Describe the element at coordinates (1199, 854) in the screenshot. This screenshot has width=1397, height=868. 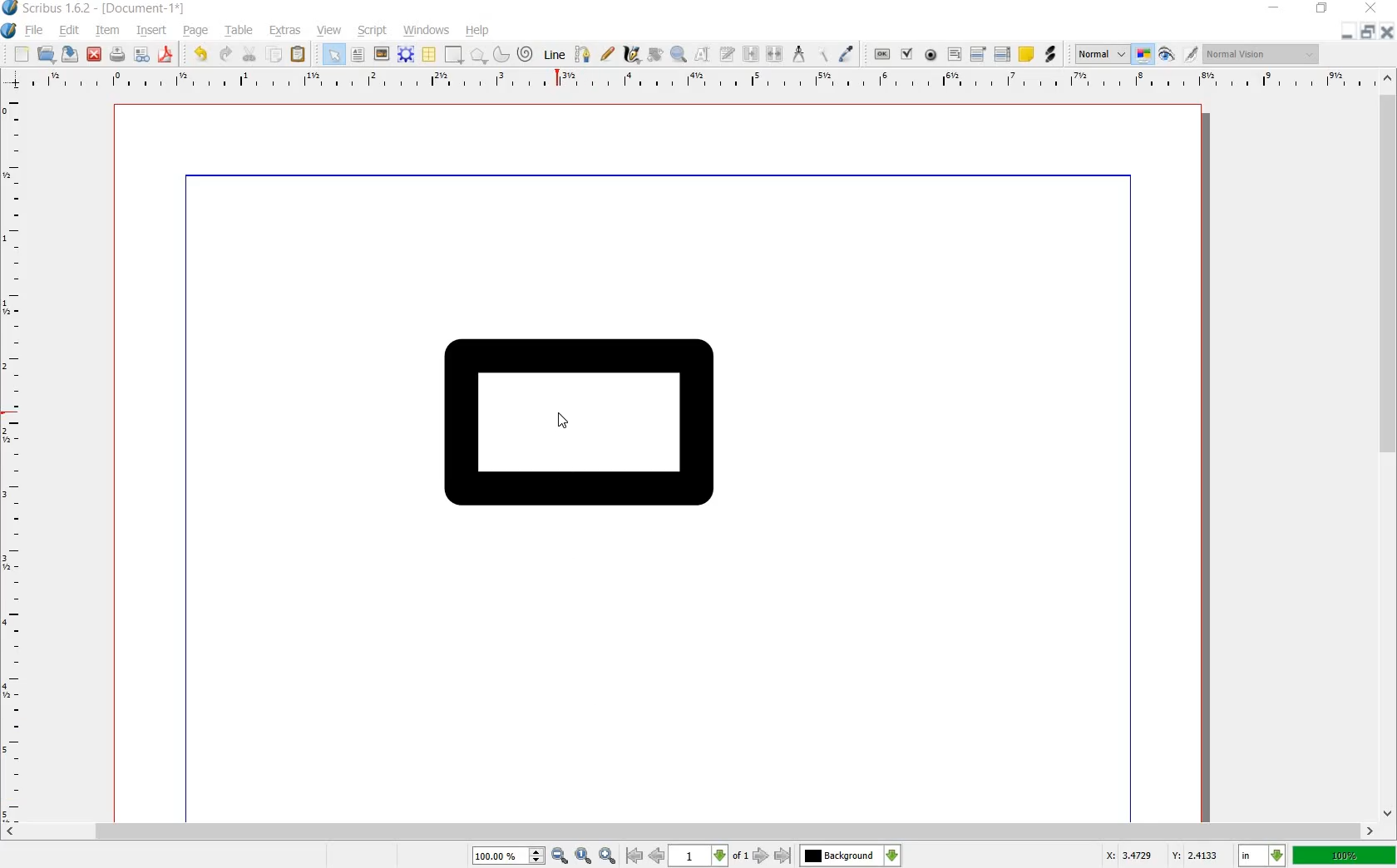
I see `coordinate y:2.4133` at that location.